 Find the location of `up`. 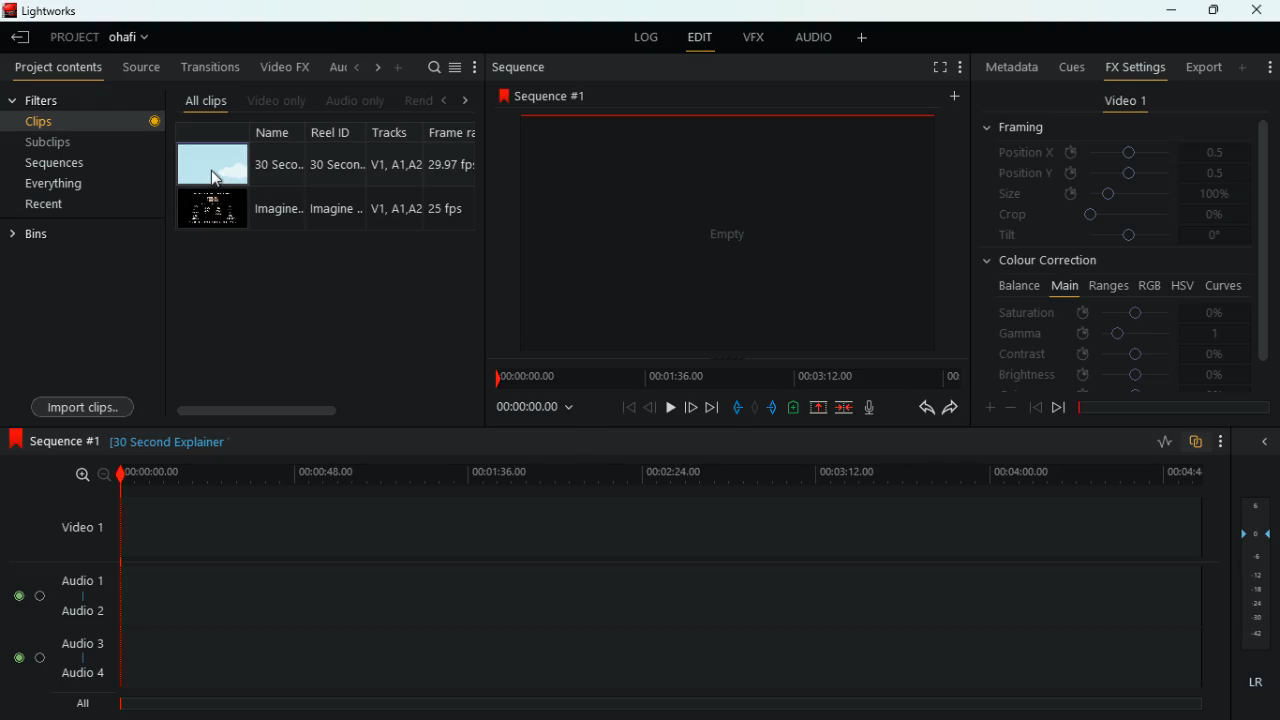

up is located at coordinates (820, 407).